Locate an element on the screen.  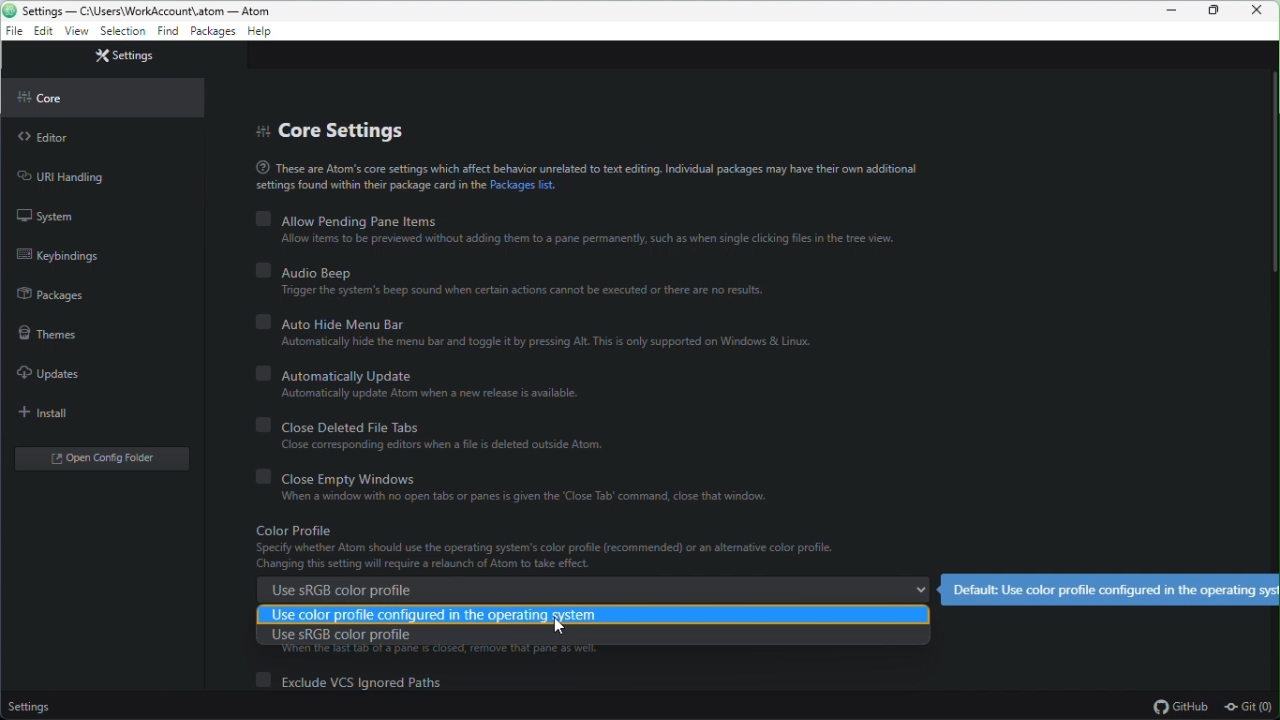
file is located at coordinates (12, 33).